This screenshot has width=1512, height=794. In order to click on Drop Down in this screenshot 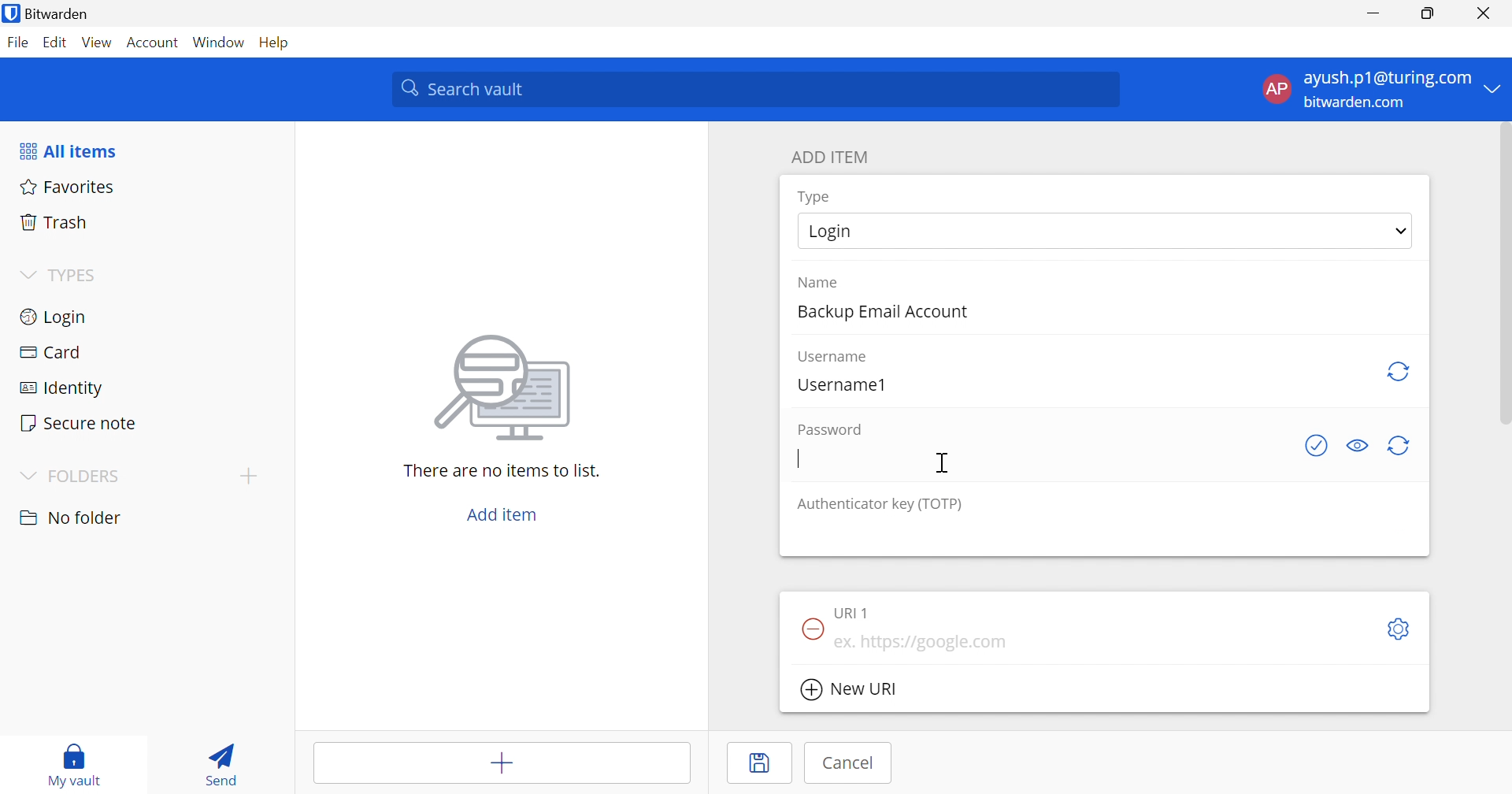, I will do `click(28, 275)`.